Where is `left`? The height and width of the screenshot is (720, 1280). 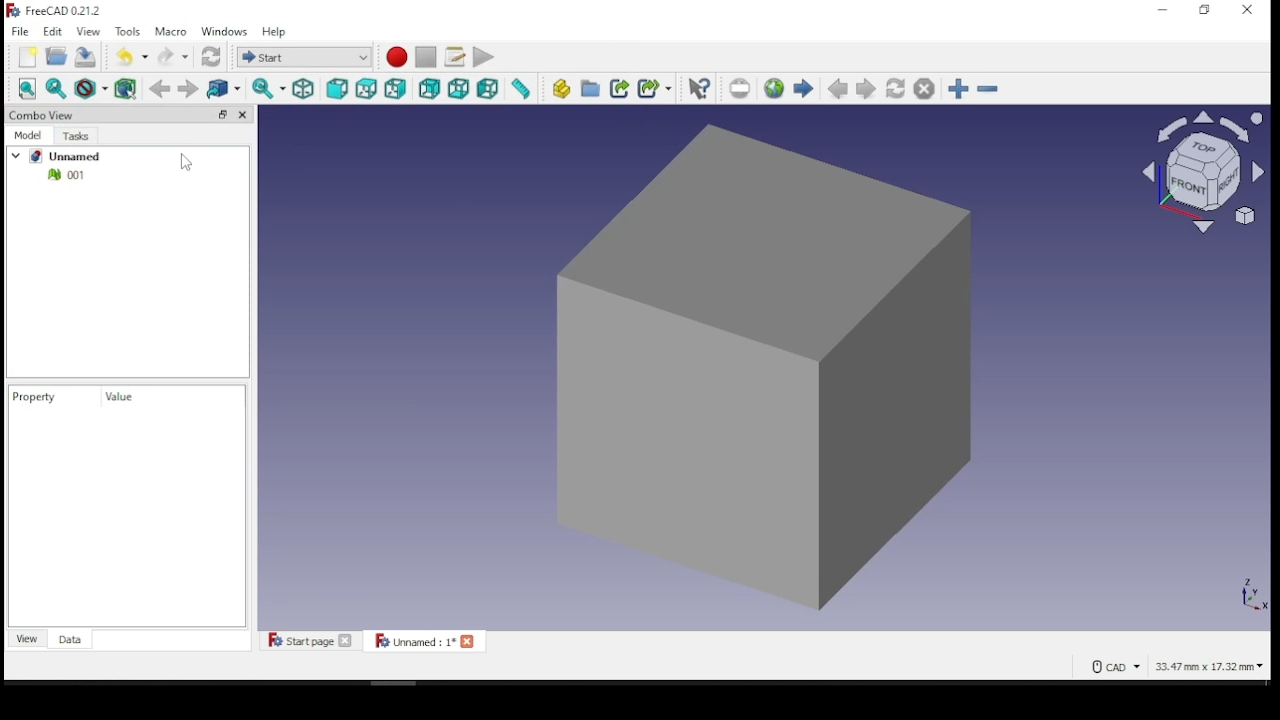
left is located at coordinates (488, 88).